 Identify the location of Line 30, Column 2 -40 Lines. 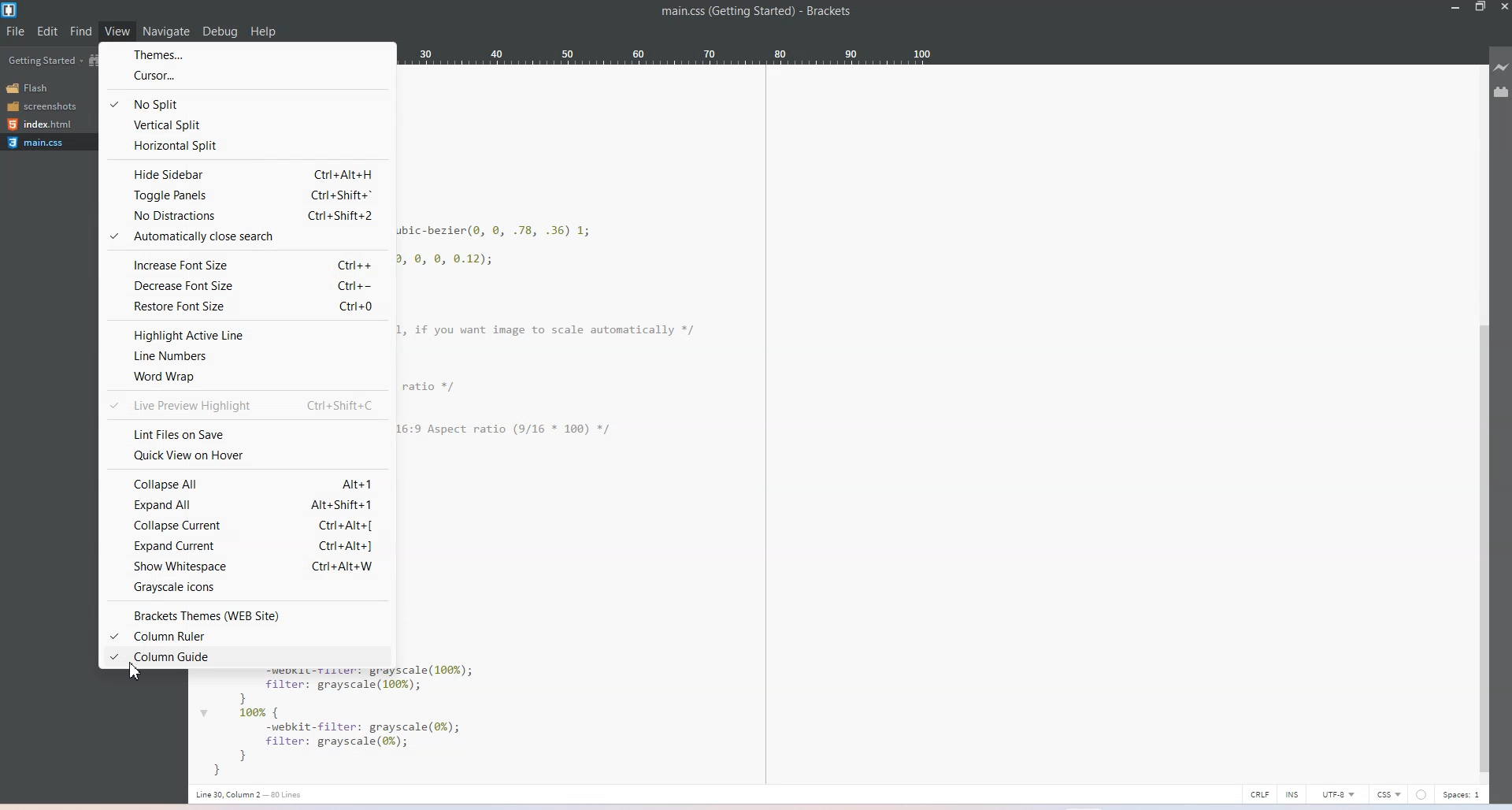
(261, 793).